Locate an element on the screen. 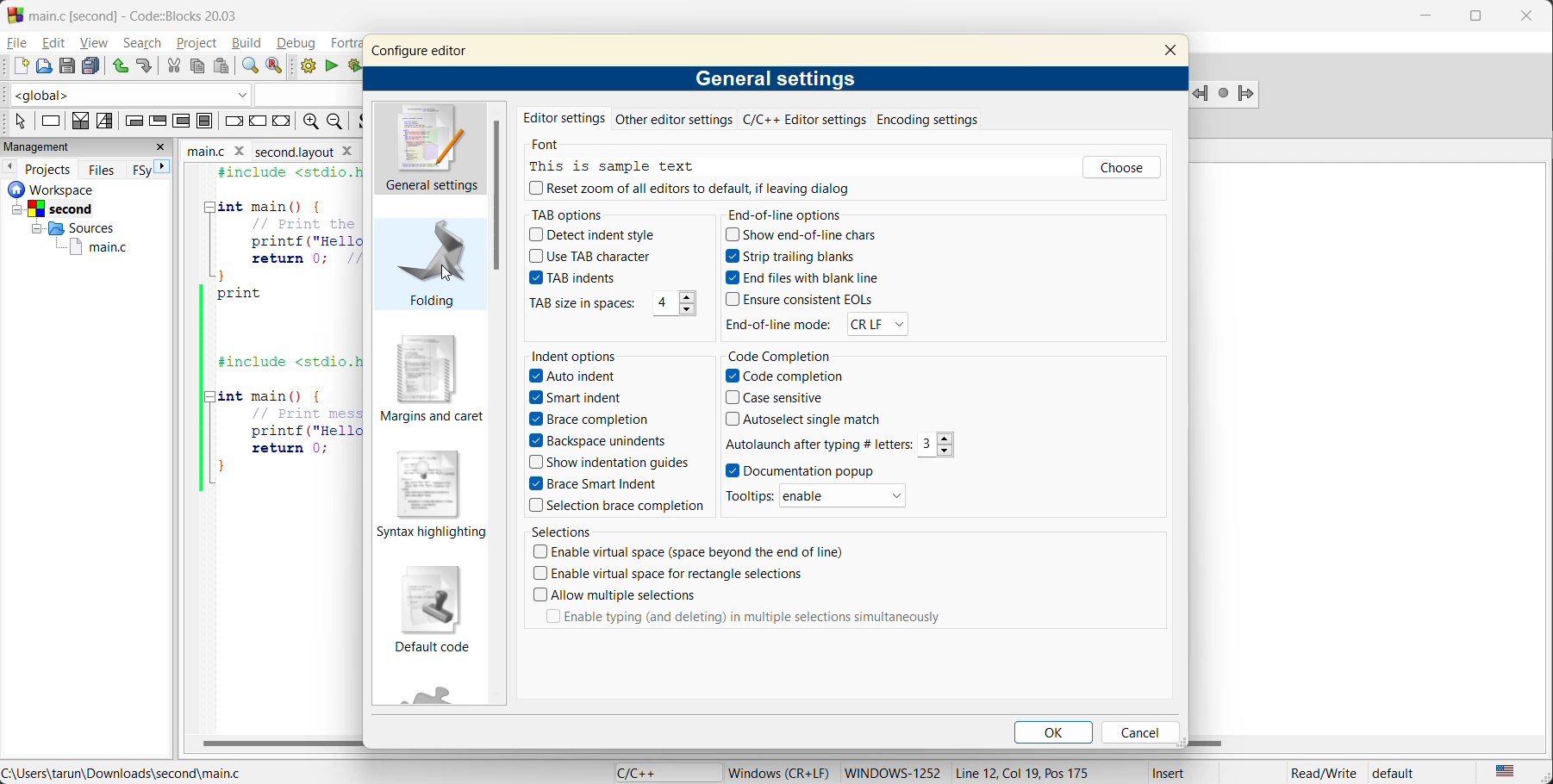 This screenshot has height=784, width=1553. FSy is located at coordinates (140, 173).